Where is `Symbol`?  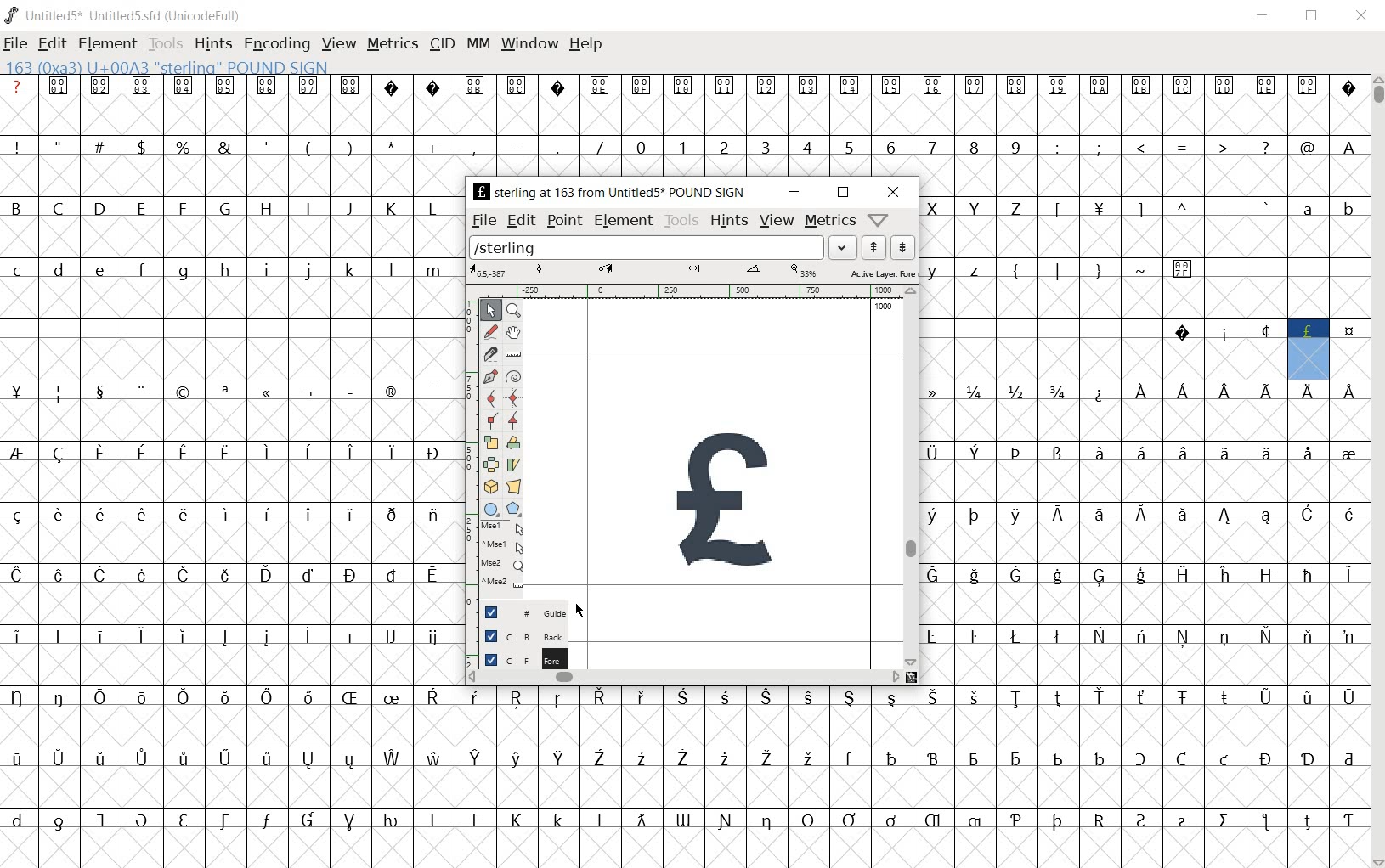
Symbol is located at coordinates (766, 699).